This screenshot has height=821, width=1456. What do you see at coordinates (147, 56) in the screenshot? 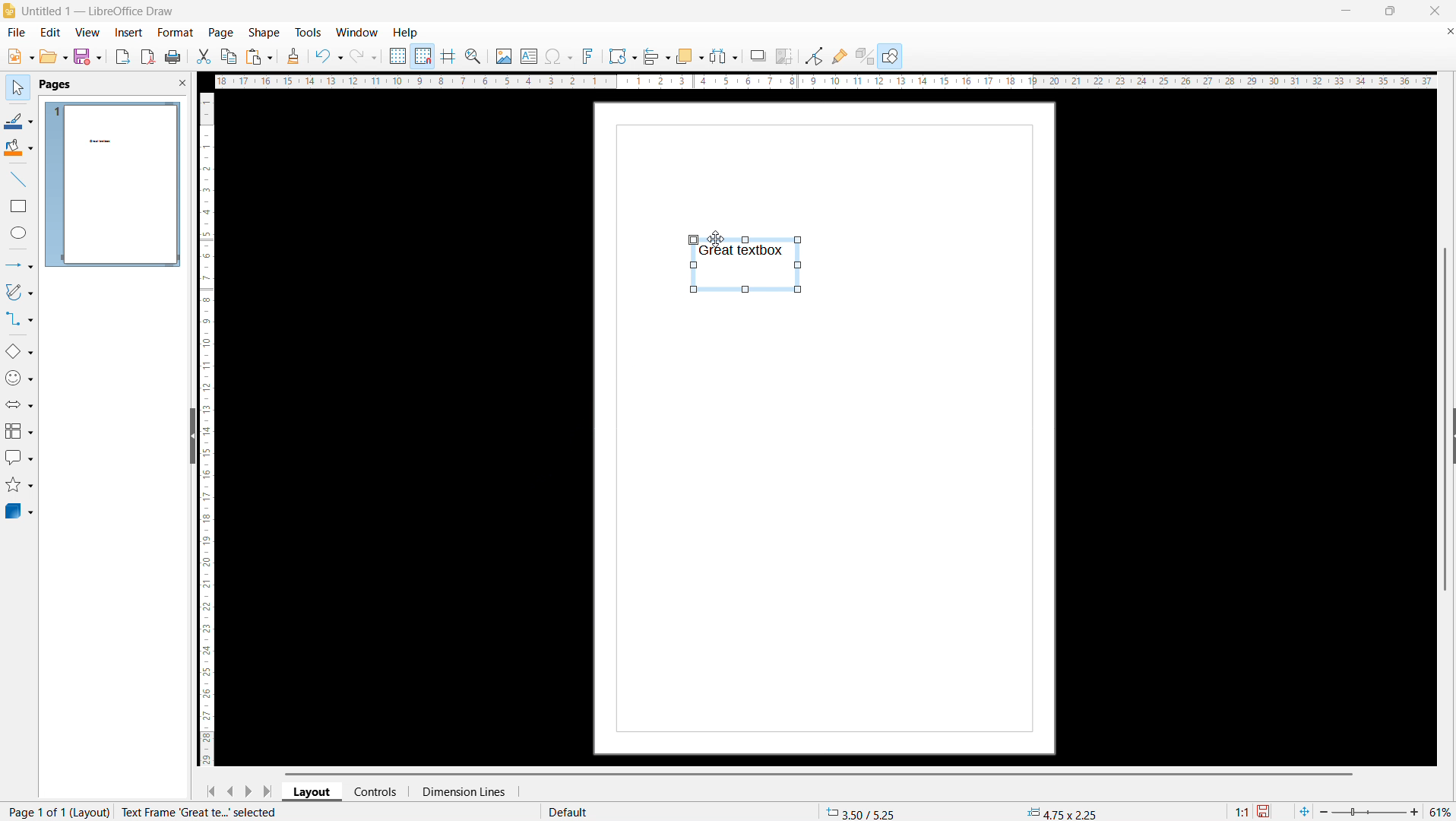
I see `export as pdf` at bounding box center [147, 56].